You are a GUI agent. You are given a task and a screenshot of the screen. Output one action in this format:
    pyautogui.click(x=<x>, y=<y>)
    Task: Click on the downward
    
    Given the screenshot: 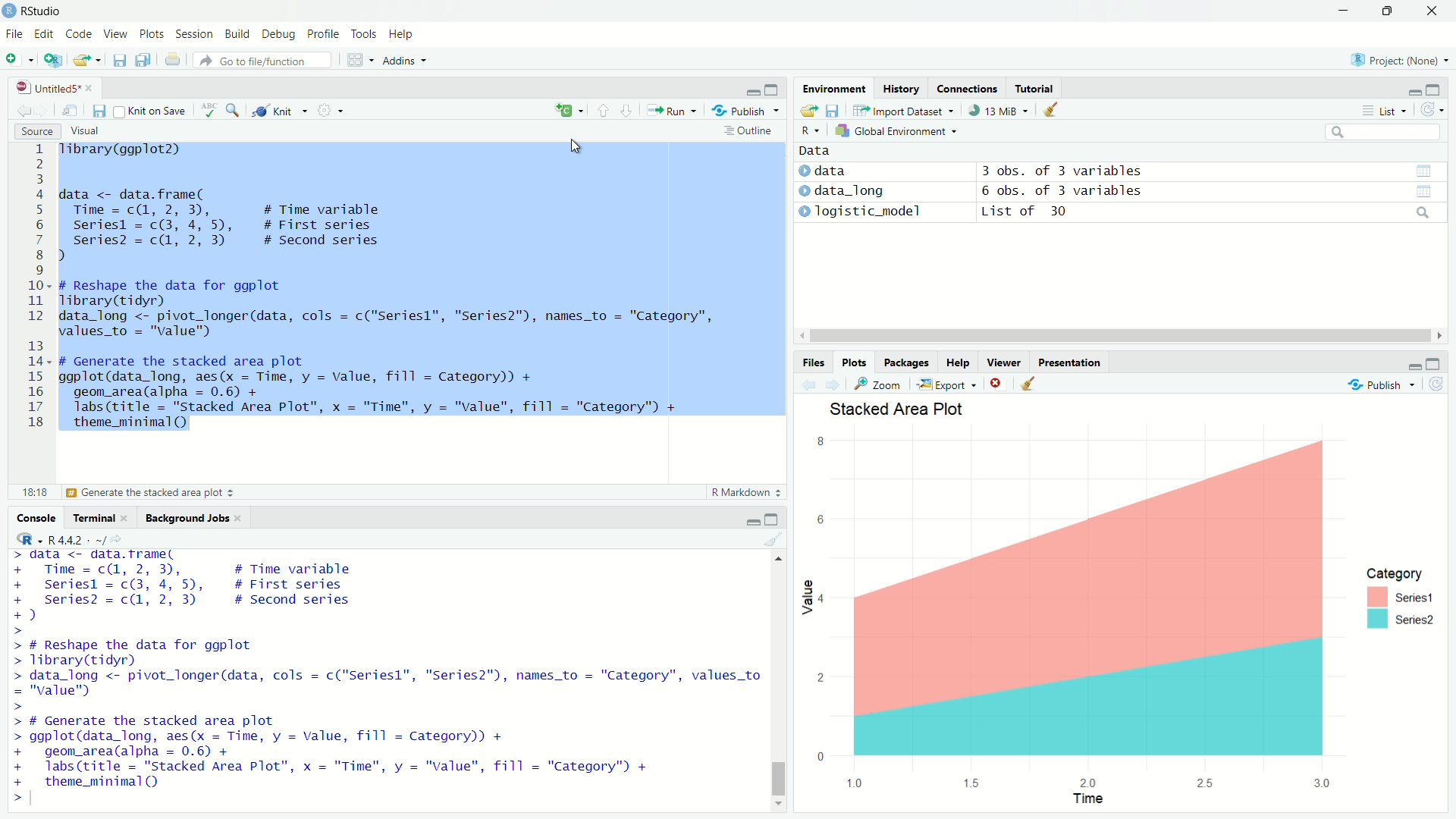 What is the action you would take?
    pyautogui.click(x=630, y=113)
    